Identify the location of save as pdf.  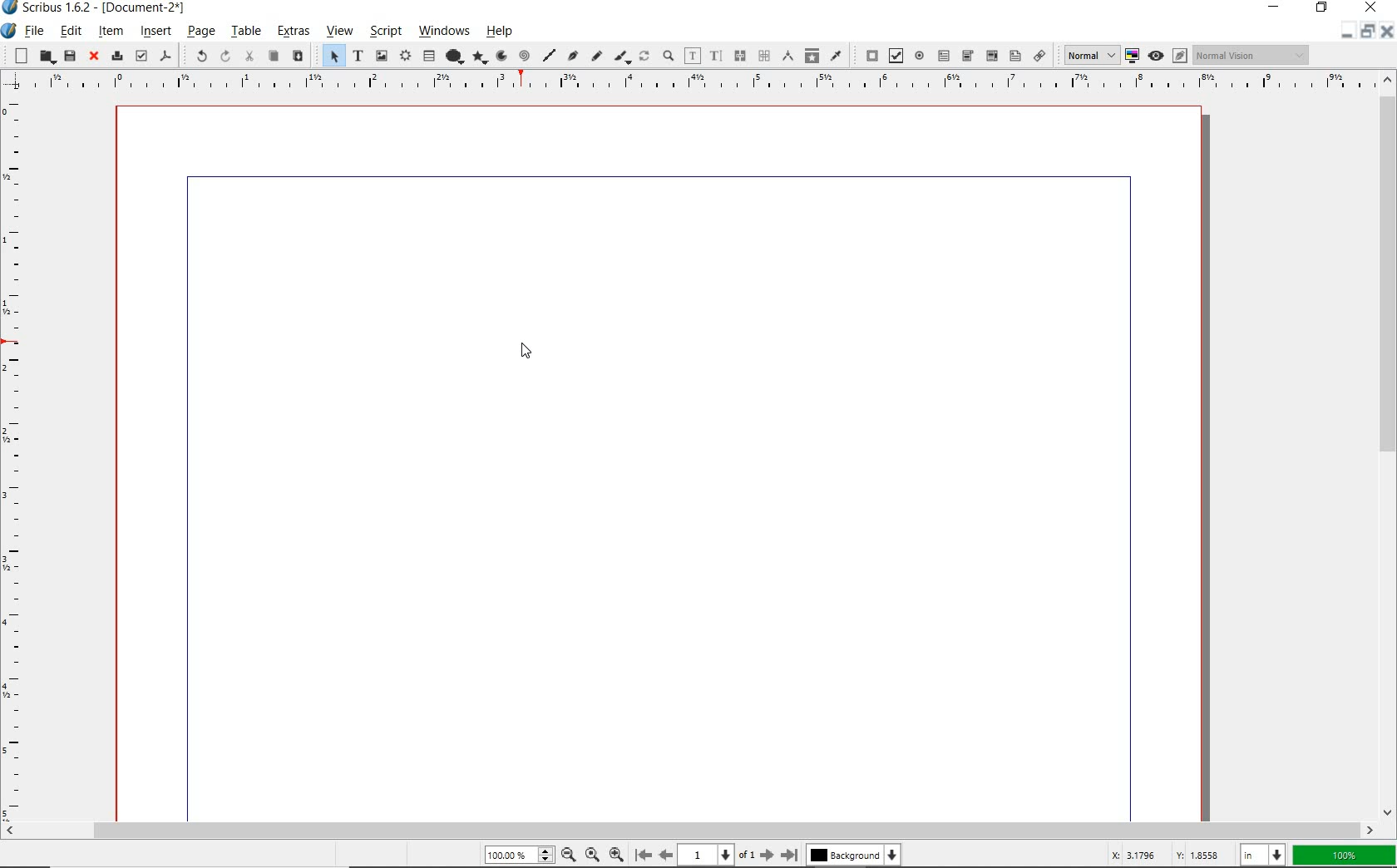
(166, 55).